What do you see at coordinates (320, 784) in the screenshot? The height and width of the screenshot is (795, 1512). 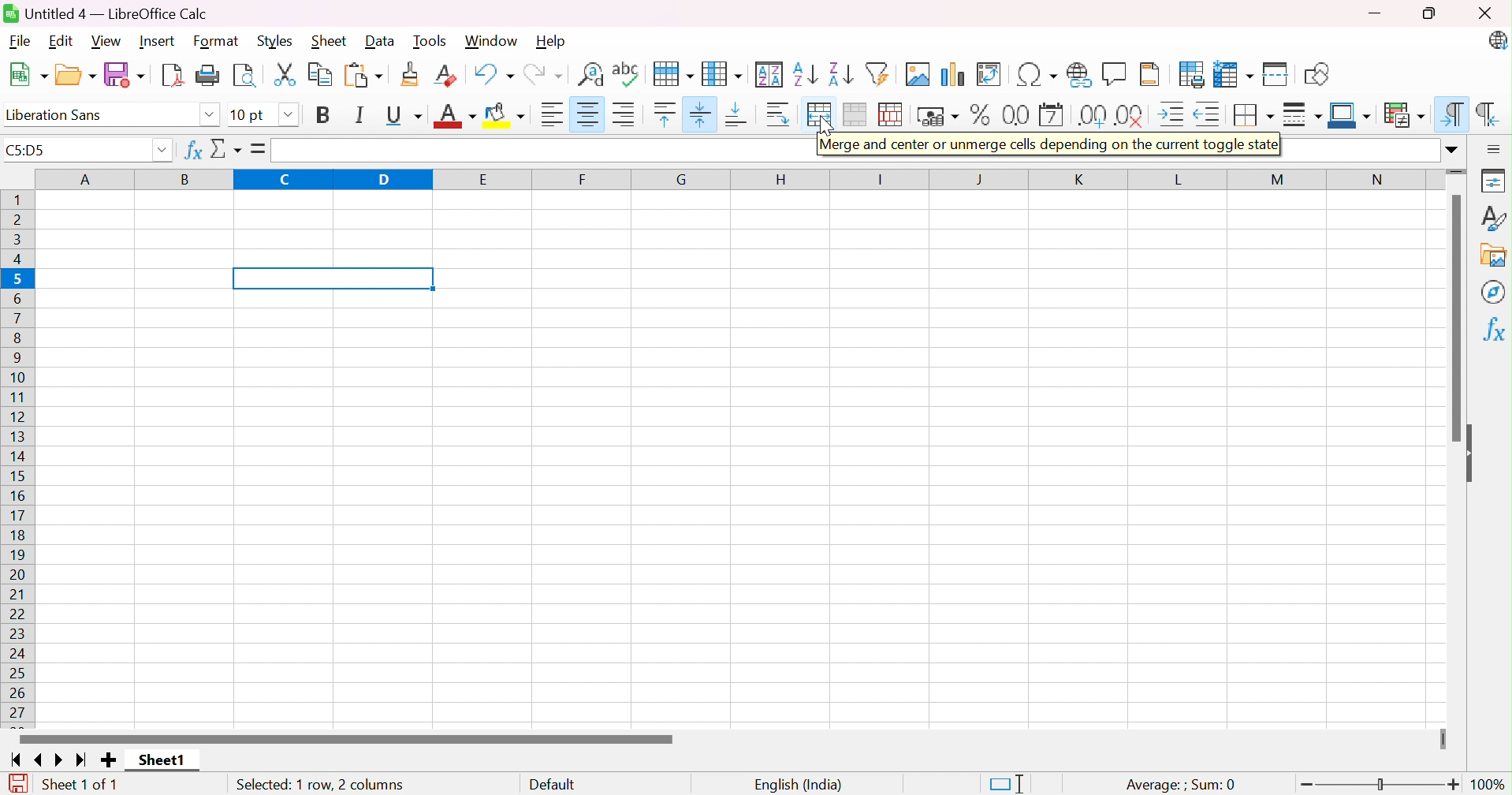 I see `Selected: 1 row, 2 columns` at bounding box center [320, 784].